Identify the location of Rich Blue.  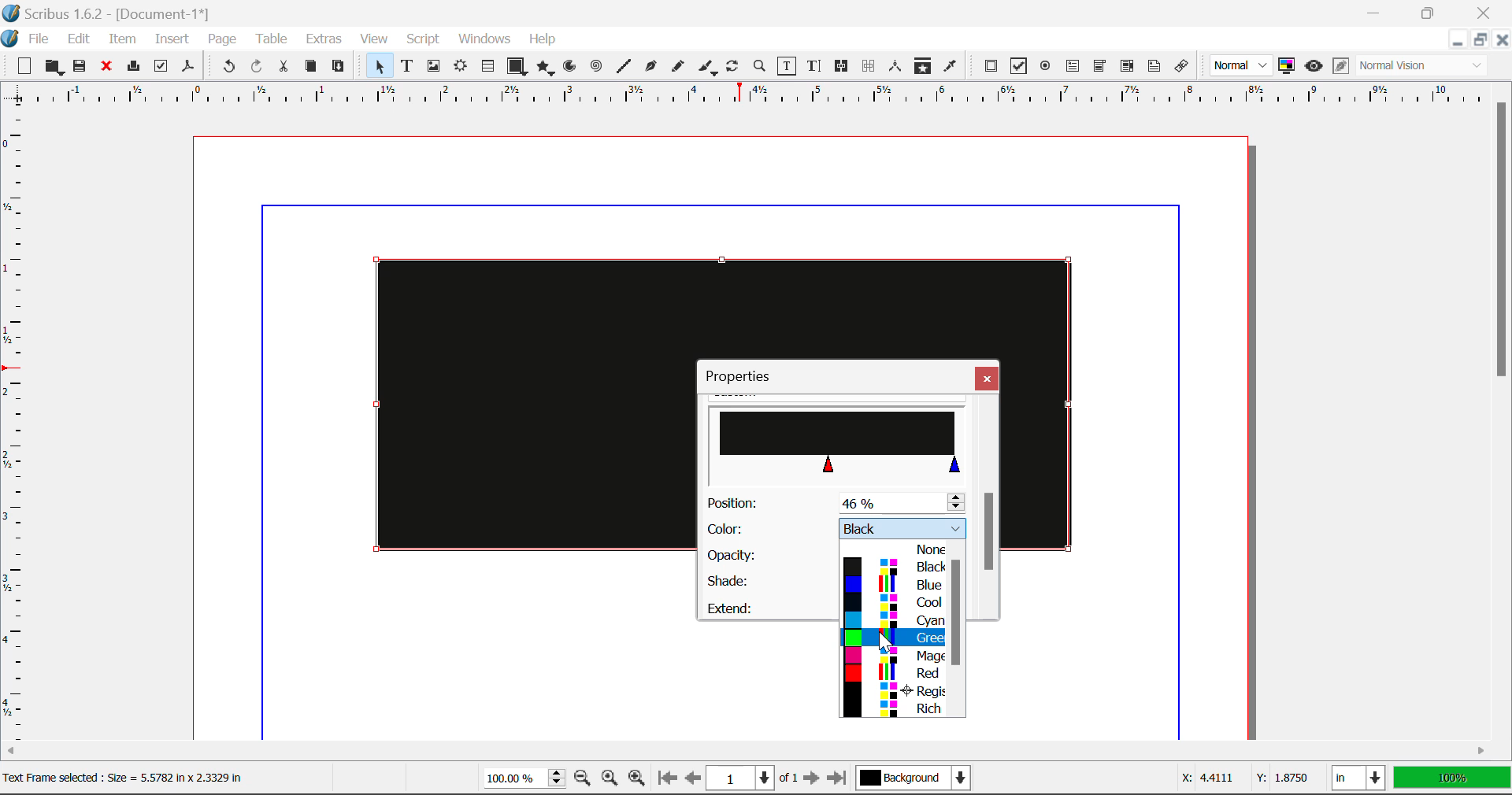
(895, 711).